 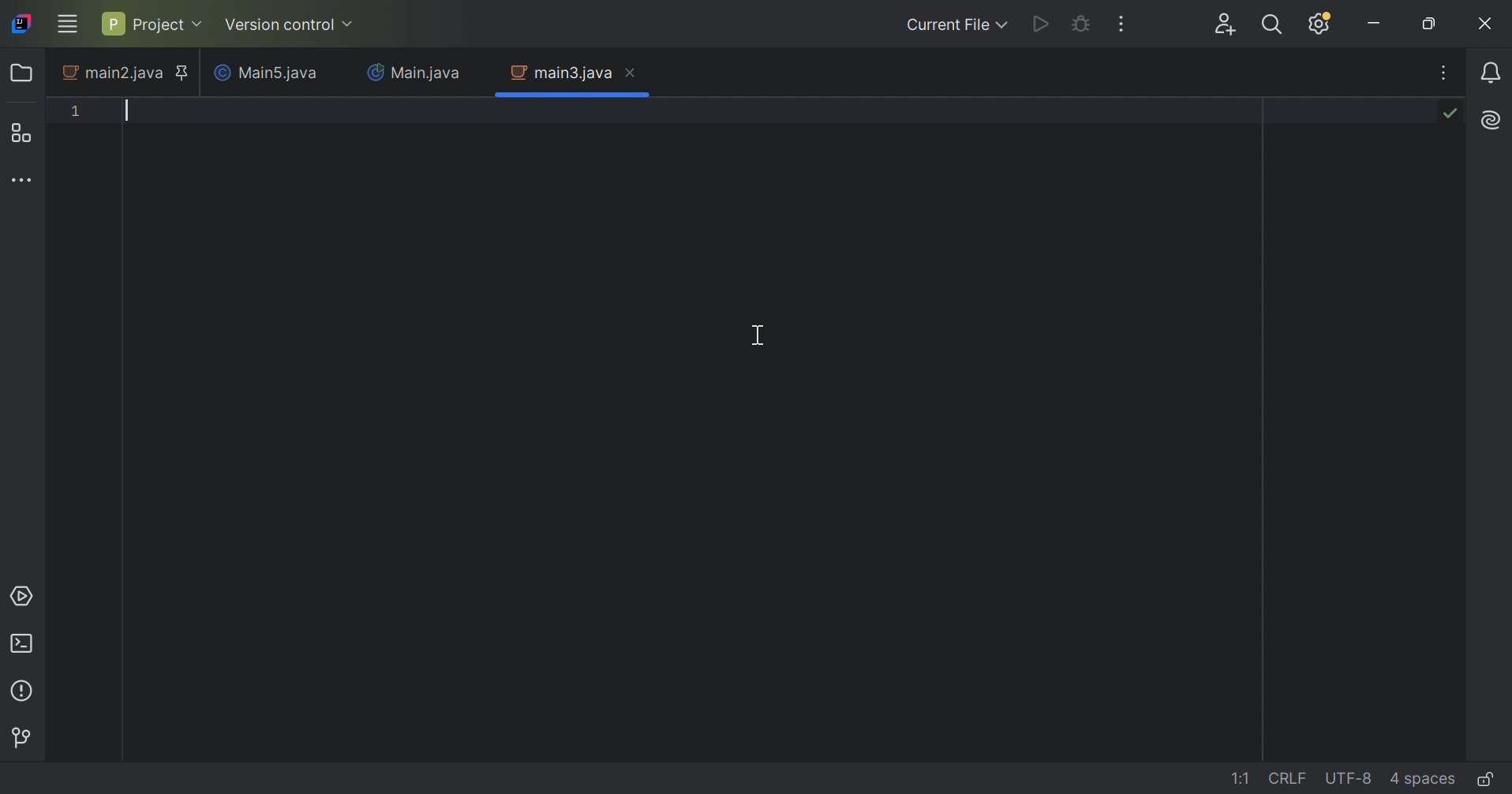 I want to click on Restore down, so click(x=1429, y=23).